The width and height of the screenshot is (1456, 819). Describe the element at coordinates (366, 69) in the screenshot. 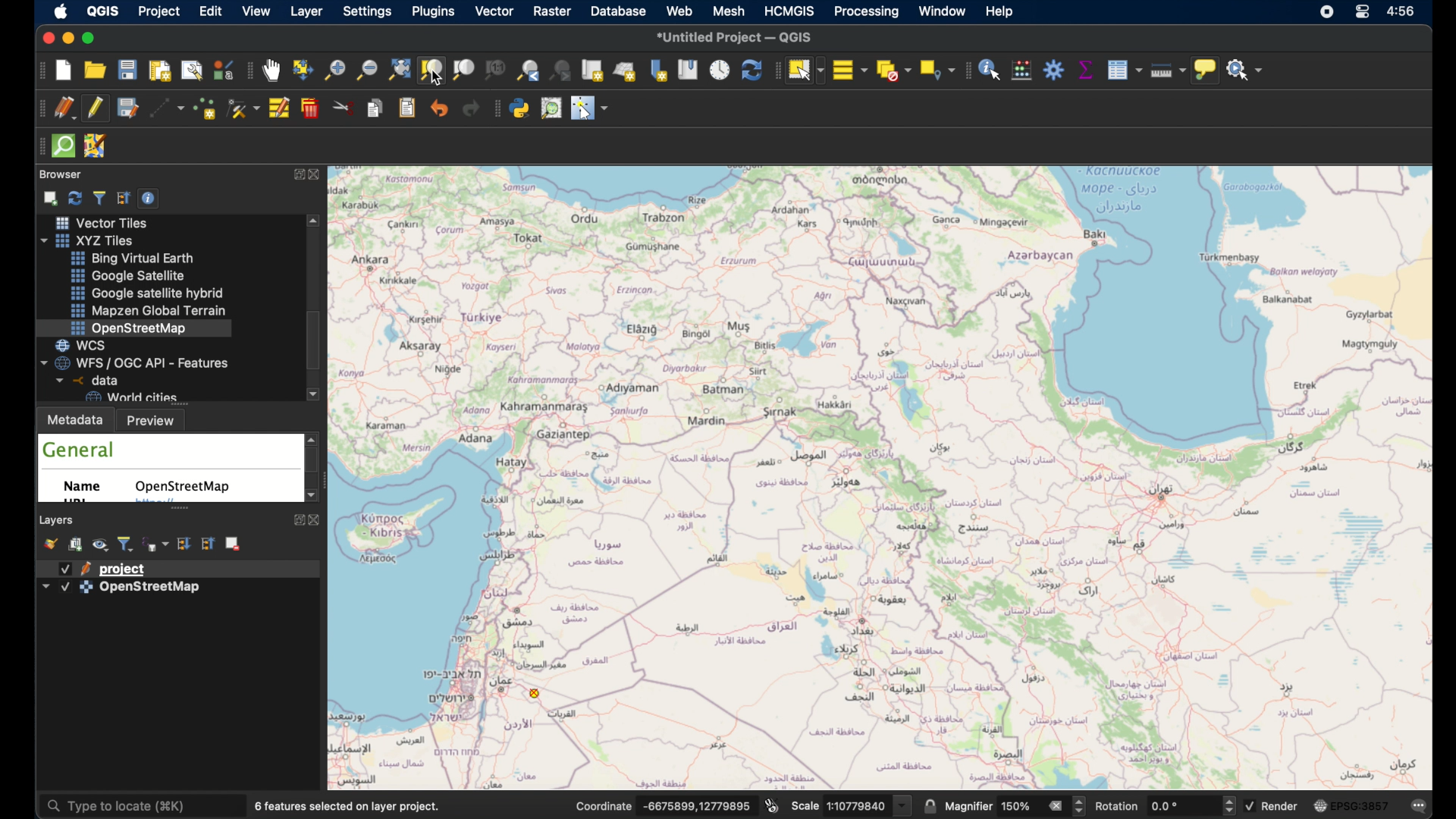

I see `zoom out` at that location.